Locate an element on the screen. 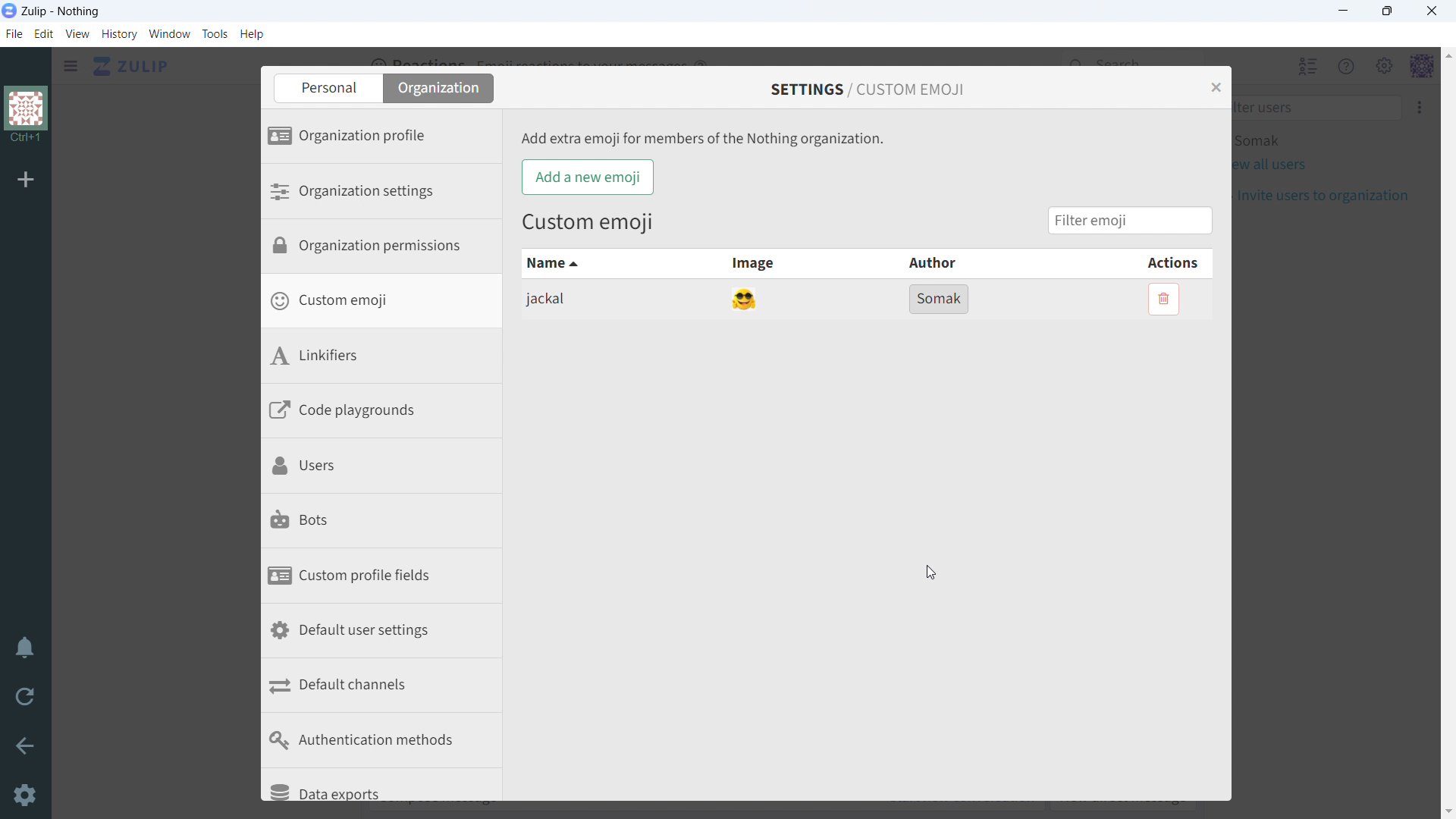 This screenshot has height=819, width=1456. maximize is located at coordinates (1388, 11).